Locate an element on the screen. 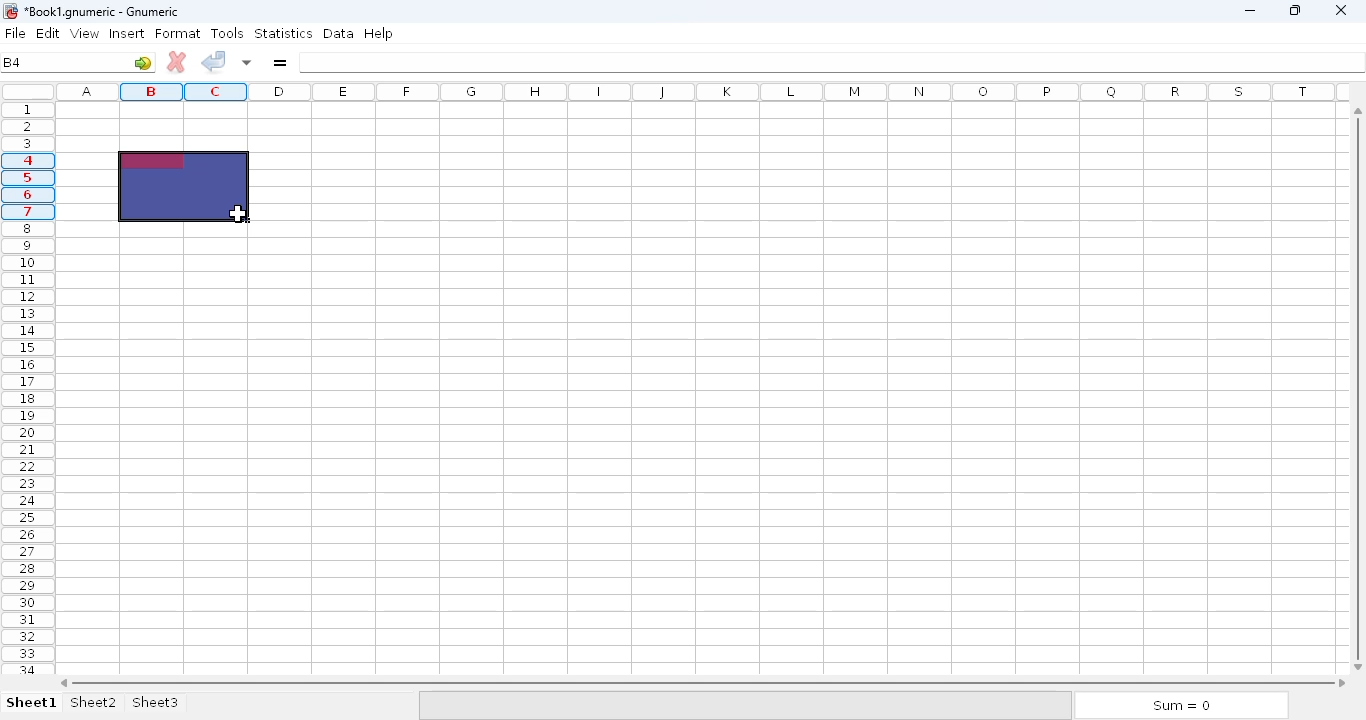  insert is located at coordinates (126, 33).